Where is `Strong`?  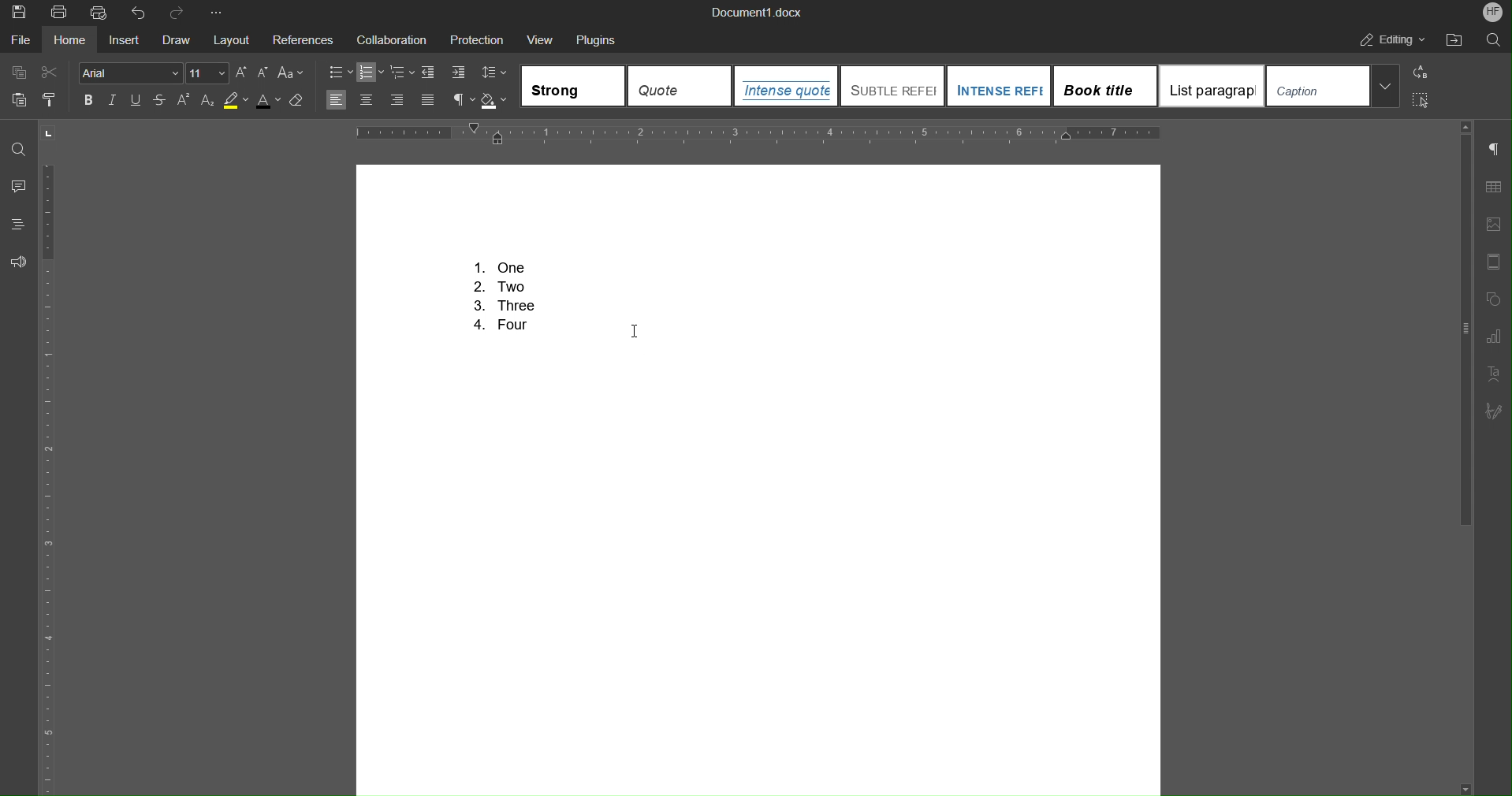
Strong is located at coordinates (574, 86).